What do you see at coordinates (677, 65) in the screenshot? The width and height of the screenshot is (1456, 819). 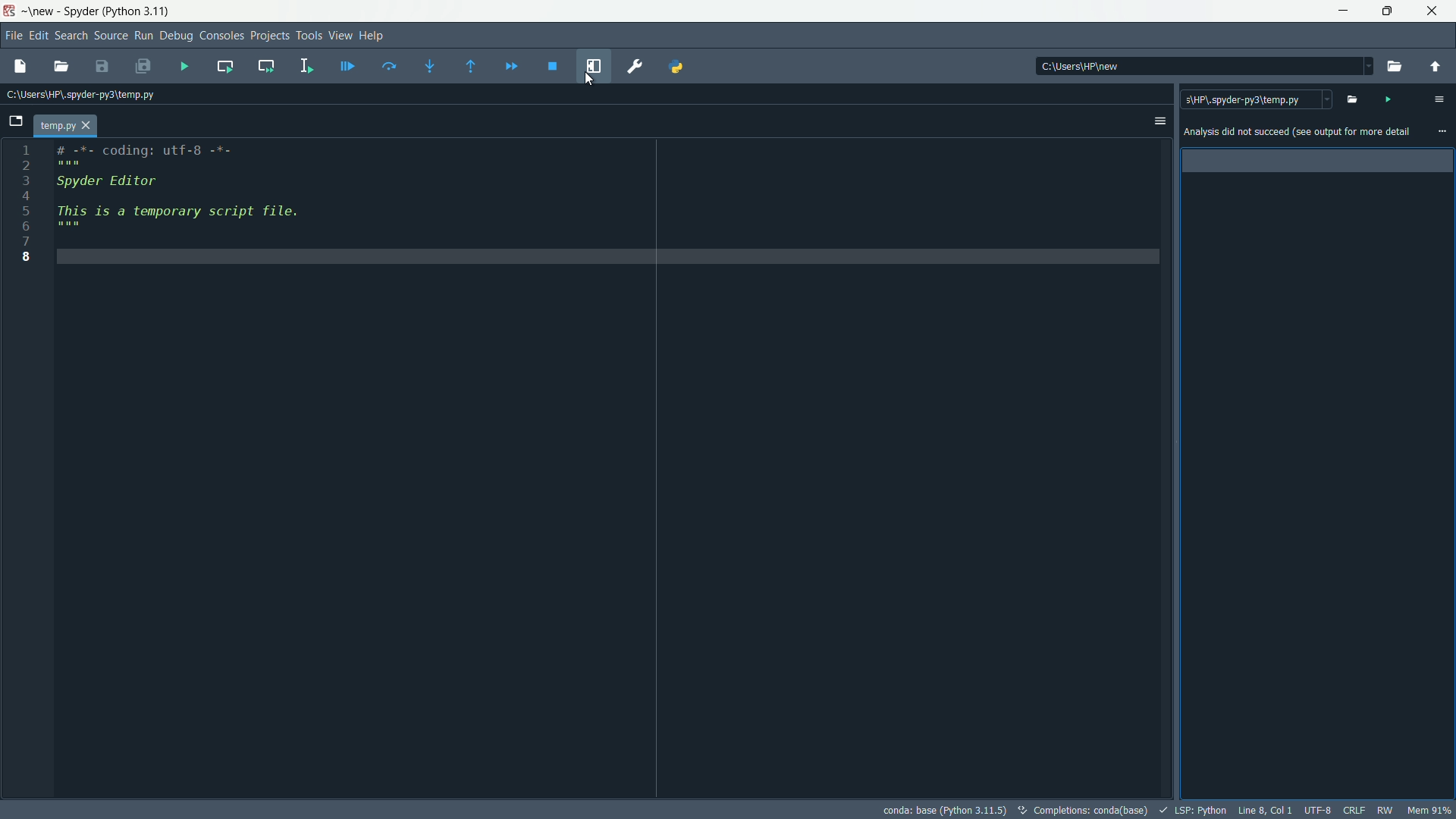 I see `python path manager` at bounding box center [677, 65].